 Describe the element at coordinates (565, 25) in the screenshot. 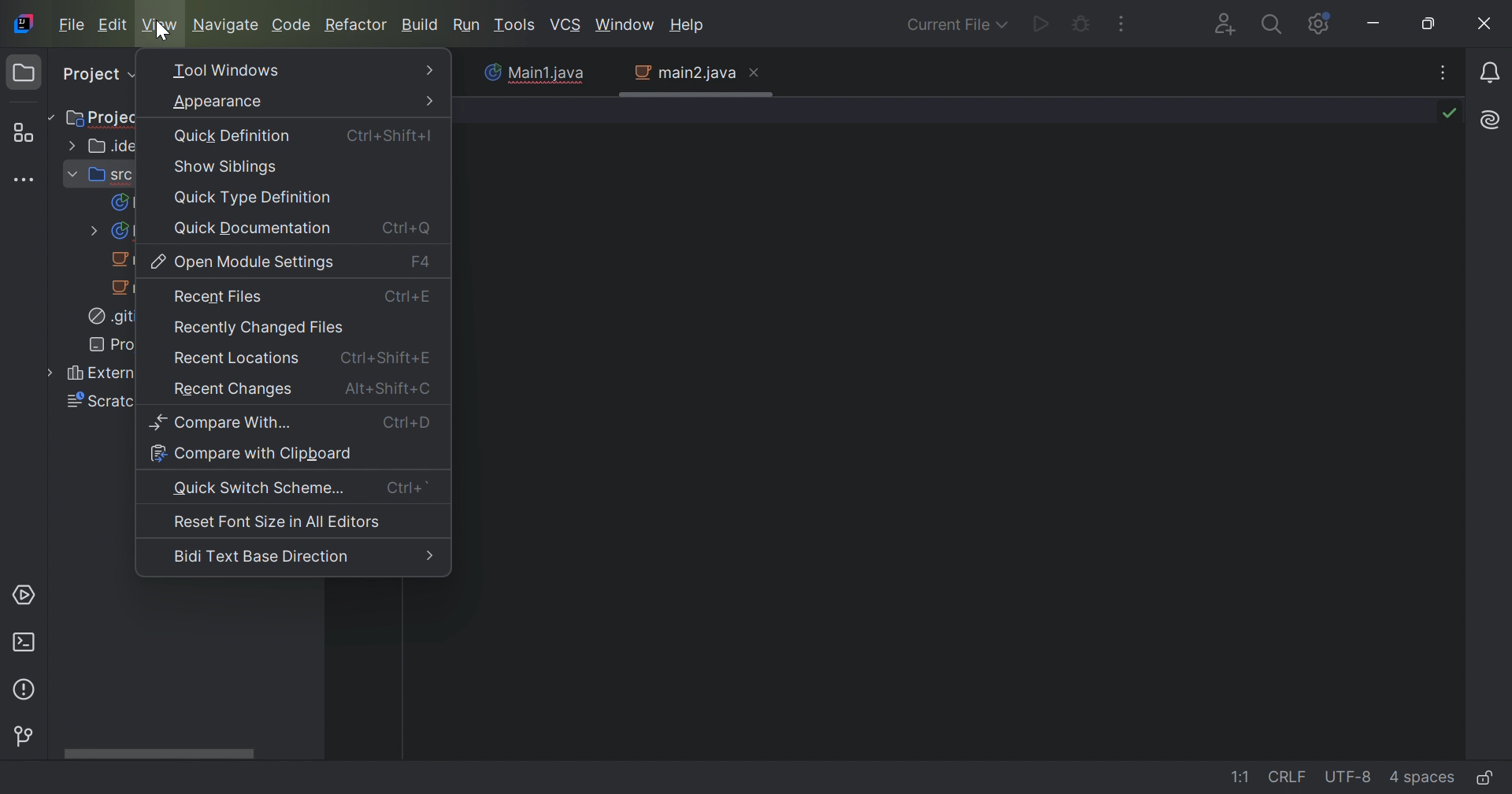

I see `VCS` at that location.